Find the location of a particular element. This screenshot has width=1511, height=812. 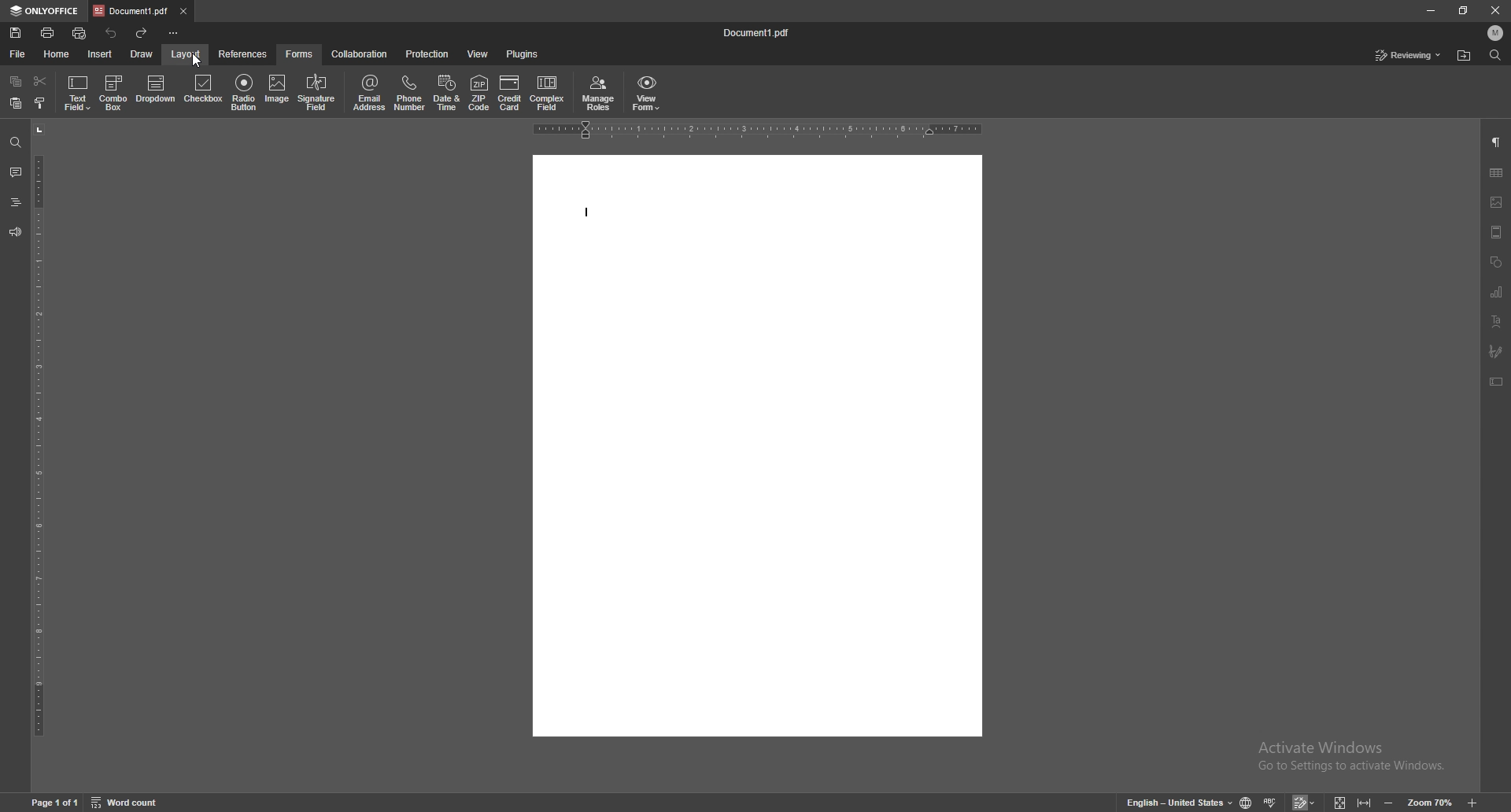

insert is located at coordinates (100, 54).